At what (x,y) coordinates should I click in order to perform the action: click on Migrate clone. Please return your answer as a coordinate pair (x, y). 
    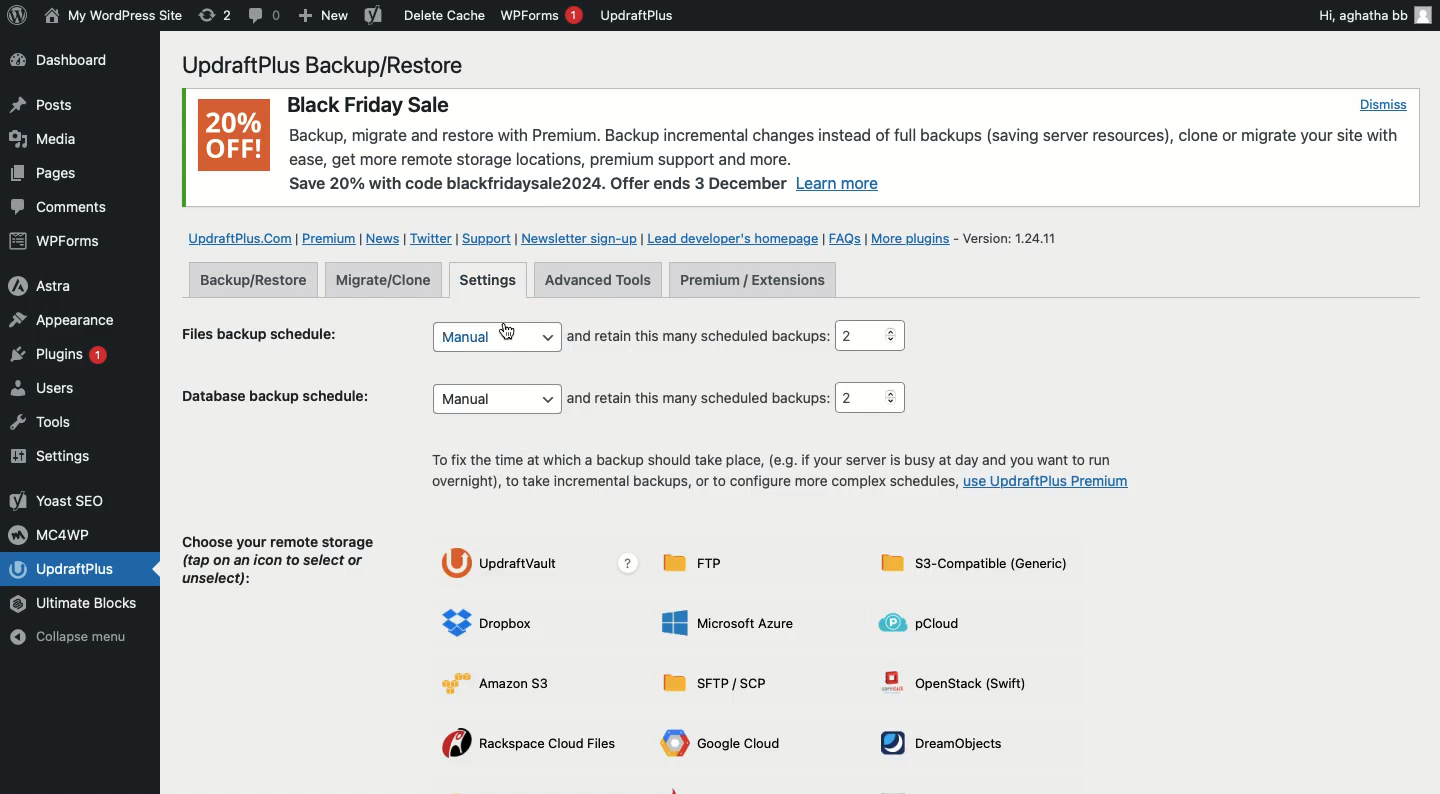
    Looking at the image, I should click on (389, 281).